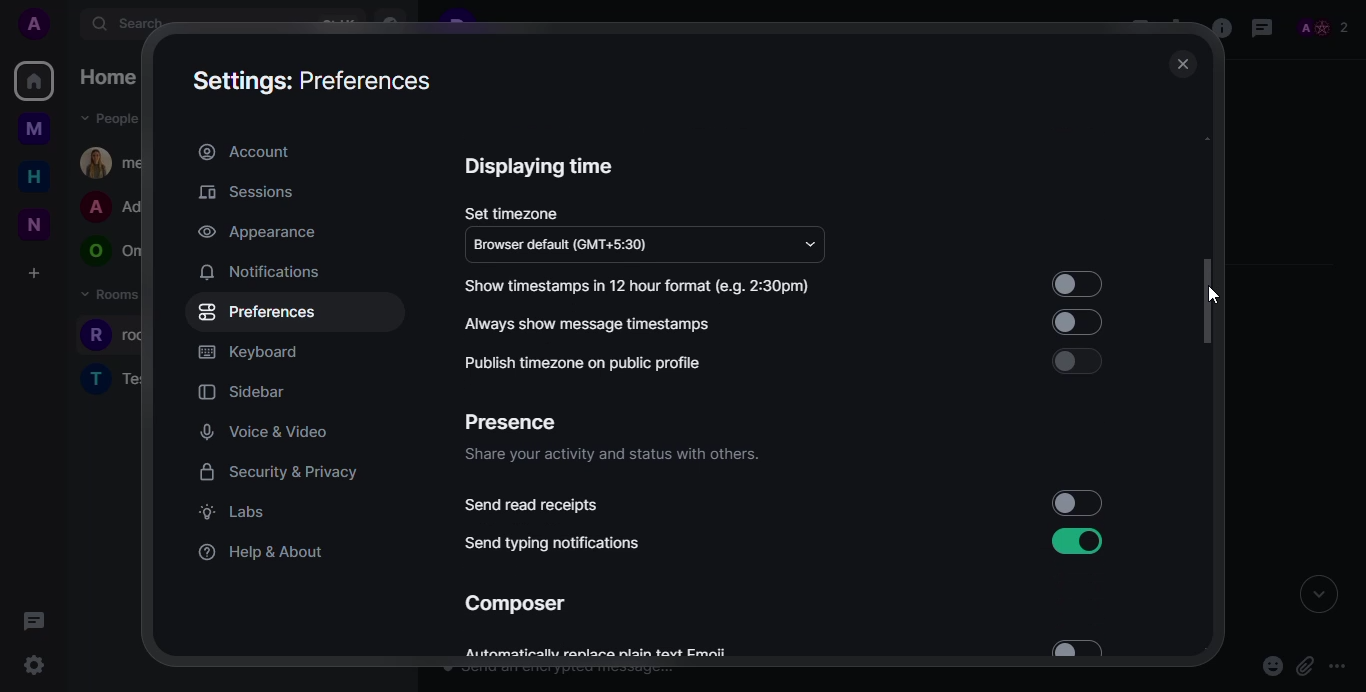  I want to click on more, so click(1339, 662).